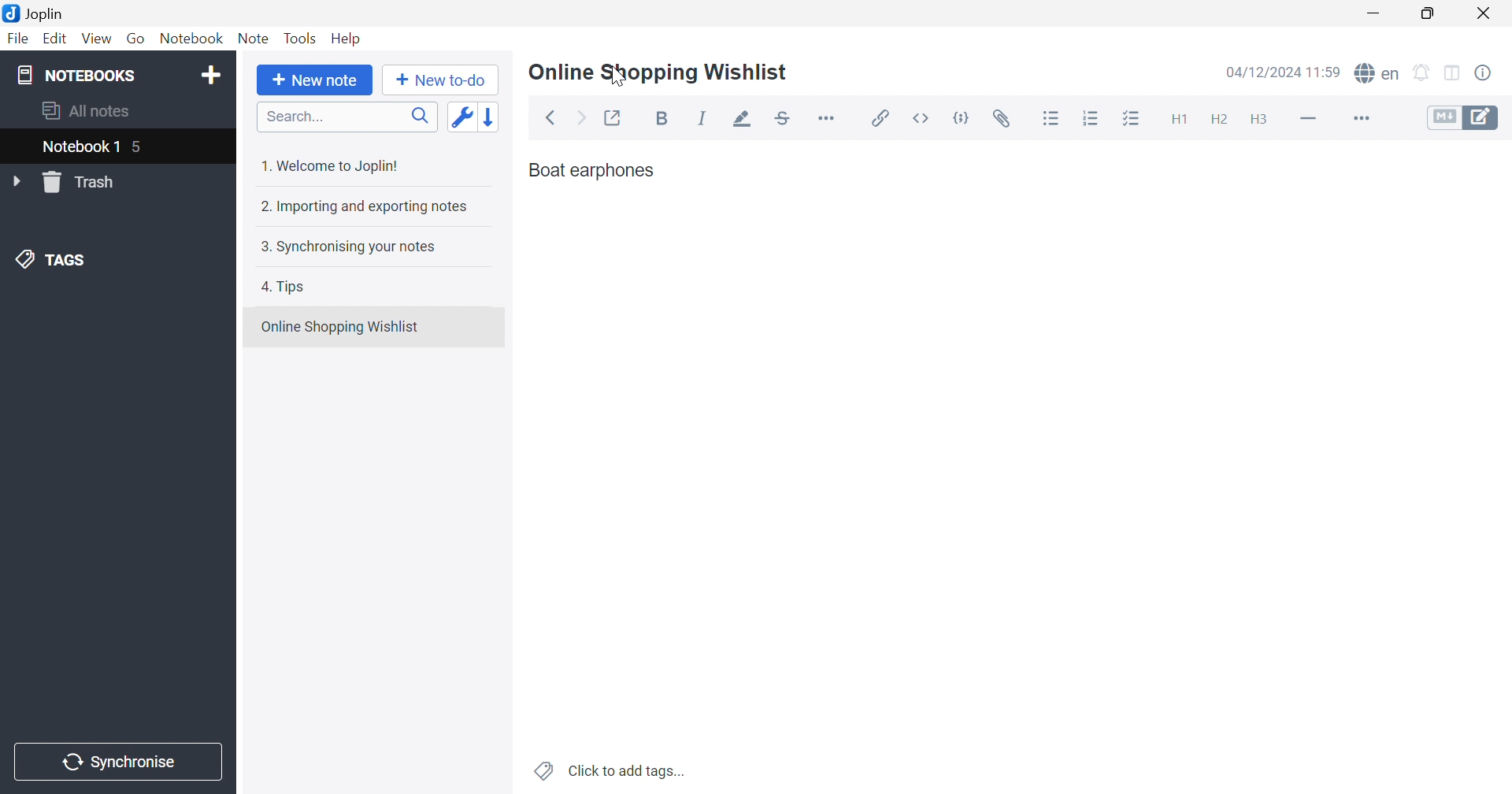 The width and height of the screenshot is (1512, 794). Describe the element at coordinates (191, 38) in the screenshot. I see `Notebook` at that location.